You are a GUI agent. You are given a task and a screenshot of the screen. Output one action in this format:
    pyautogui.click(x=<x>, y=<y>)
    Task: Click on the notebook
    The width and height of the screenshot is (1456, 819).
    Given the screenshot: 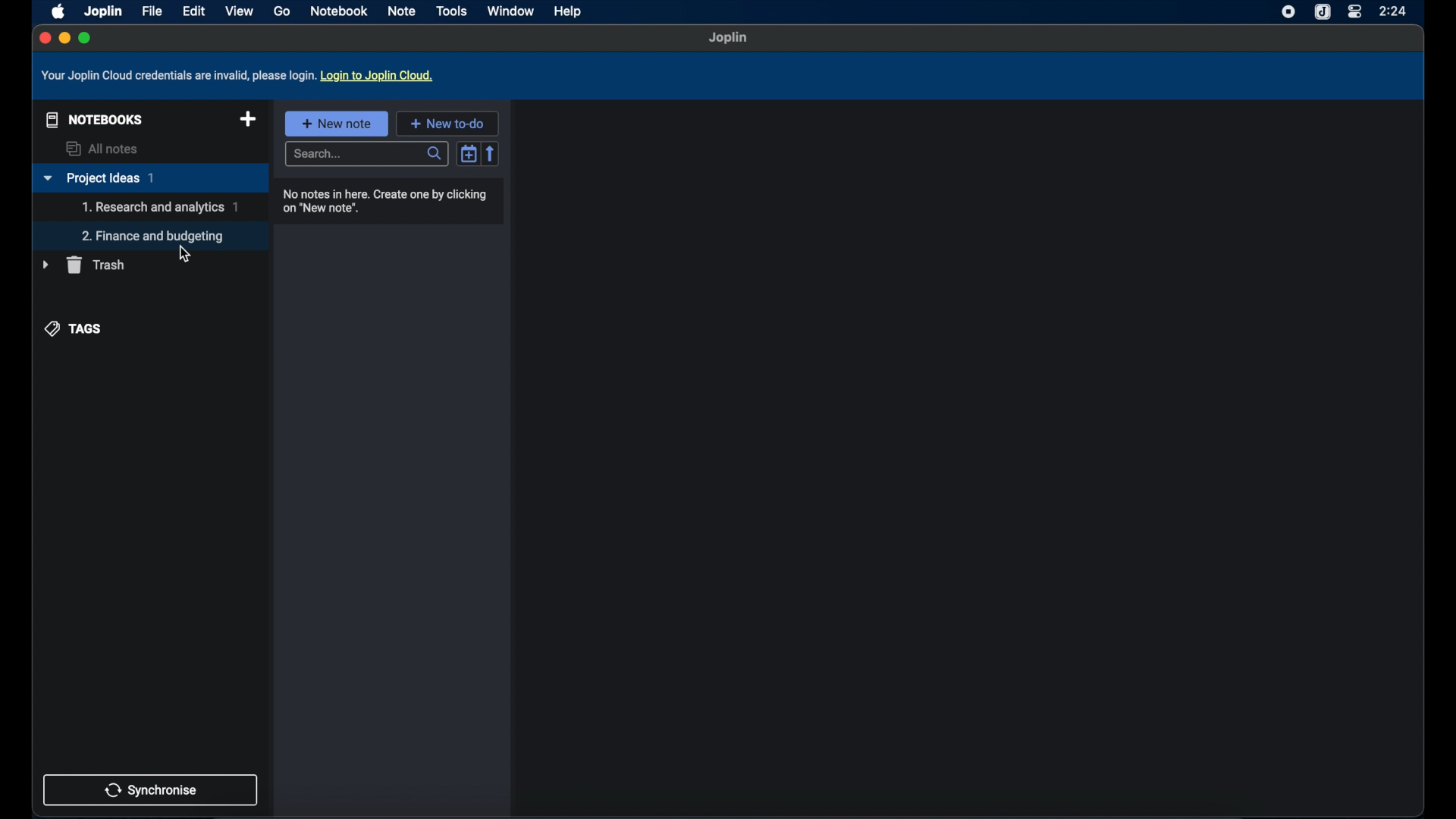 What is the action you would take?
    pyautogui.click(x=340, y=11)
    